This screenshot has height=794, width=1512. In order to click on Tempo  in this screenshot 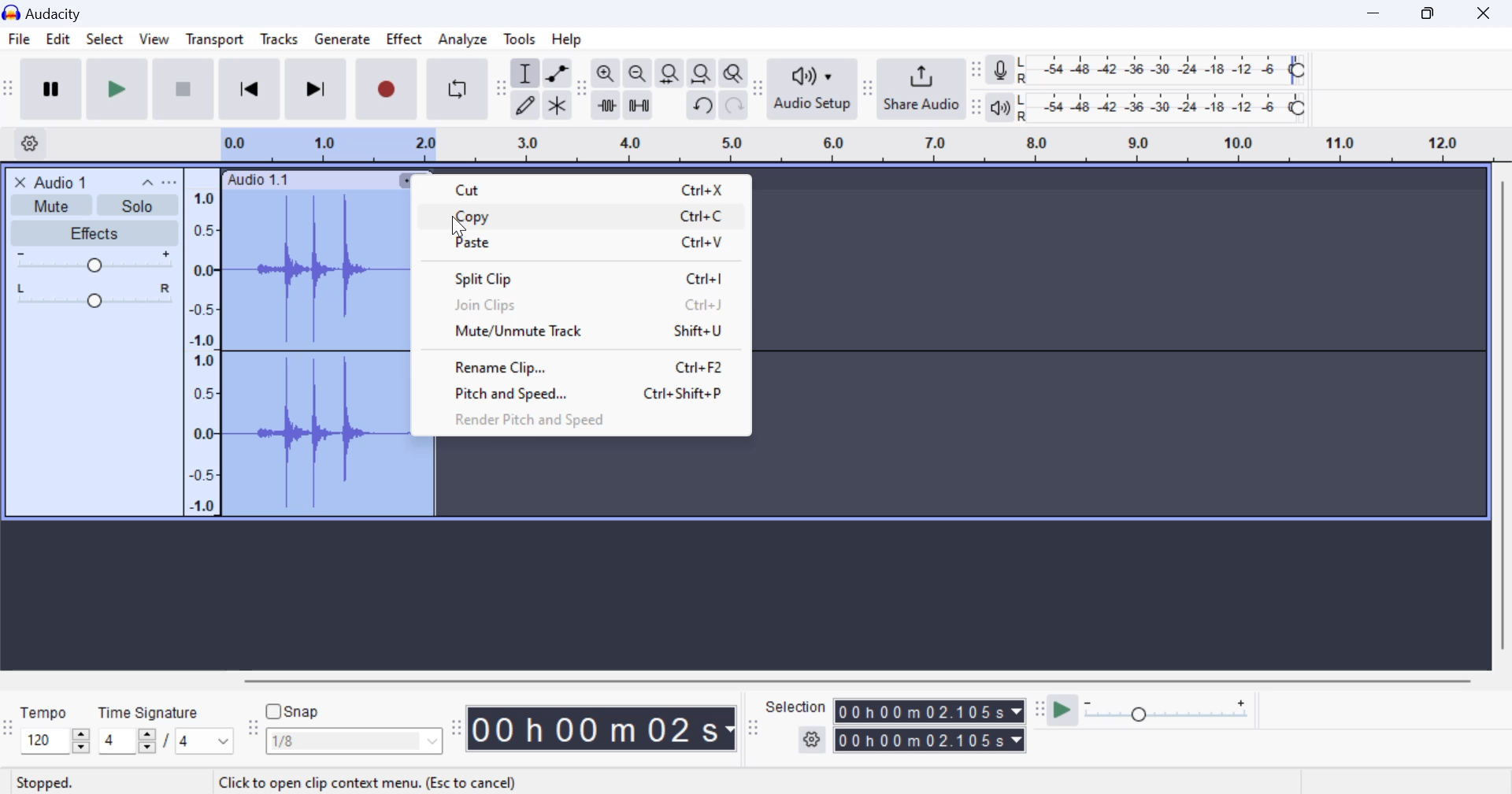, I will do `click(45, 711)`.